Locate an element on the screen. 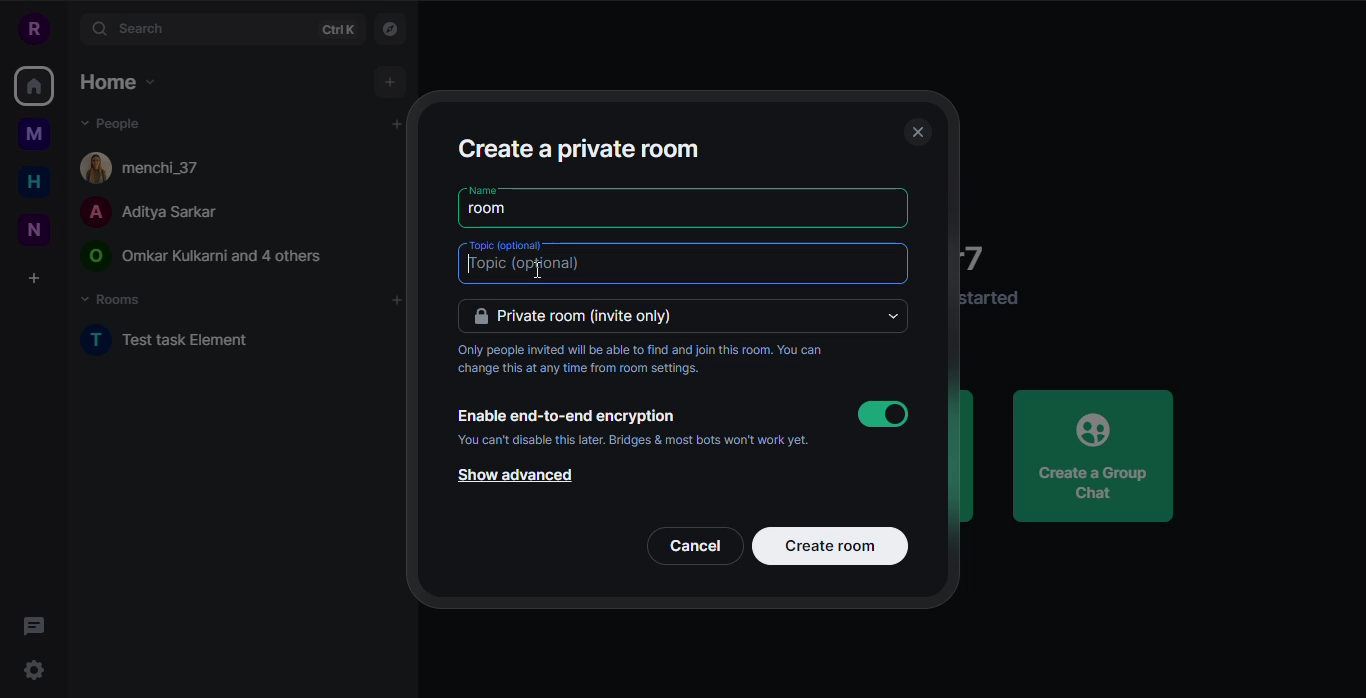  navigator is located at coordinates (395, 30).